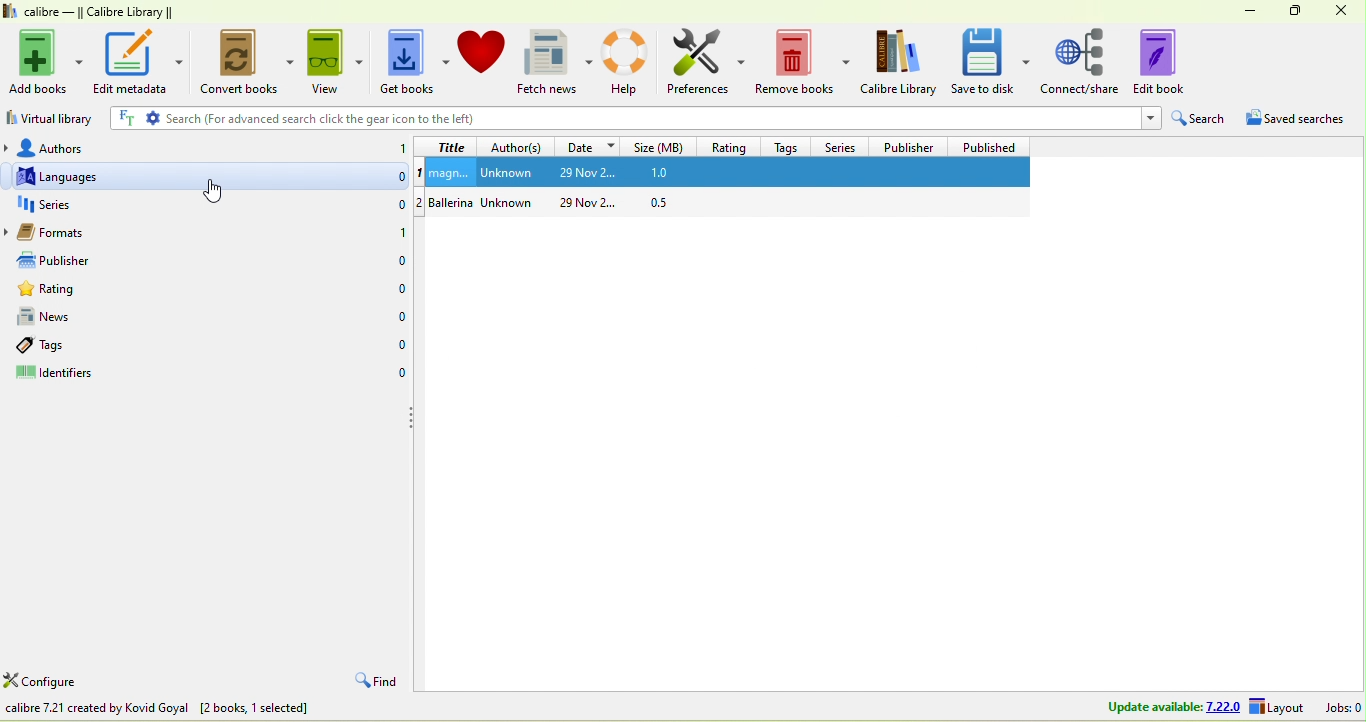 The height and width of the screenshot is (722, 1366). Describe the element at coordinates (105, 11) in the screenshot. I see `calibre- calibre library` at that location.